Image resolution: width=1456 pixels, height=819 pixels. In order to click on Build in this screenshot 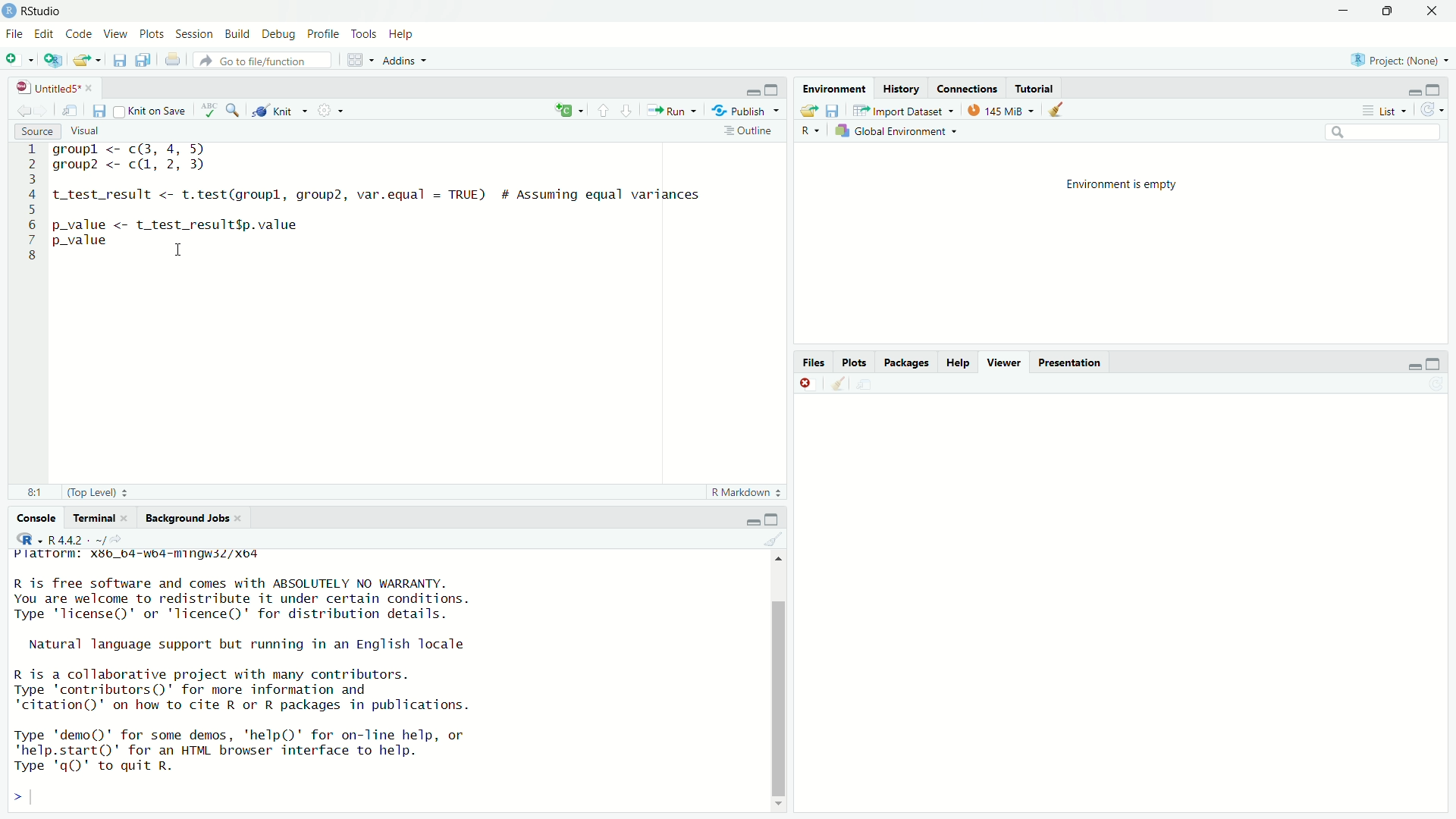, I will do `click(238, 32)`.